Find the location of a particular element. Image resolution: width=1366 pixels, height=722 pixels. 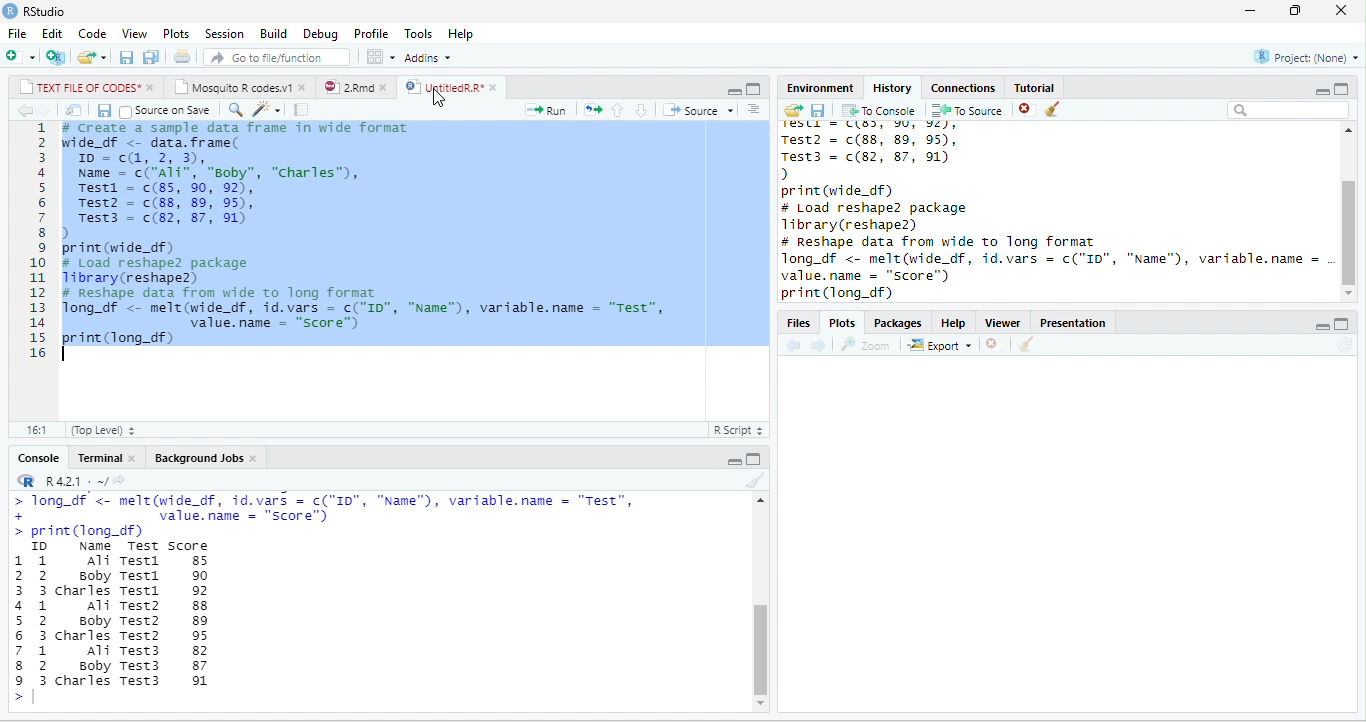

minimize is located at coordinates (734, 460).